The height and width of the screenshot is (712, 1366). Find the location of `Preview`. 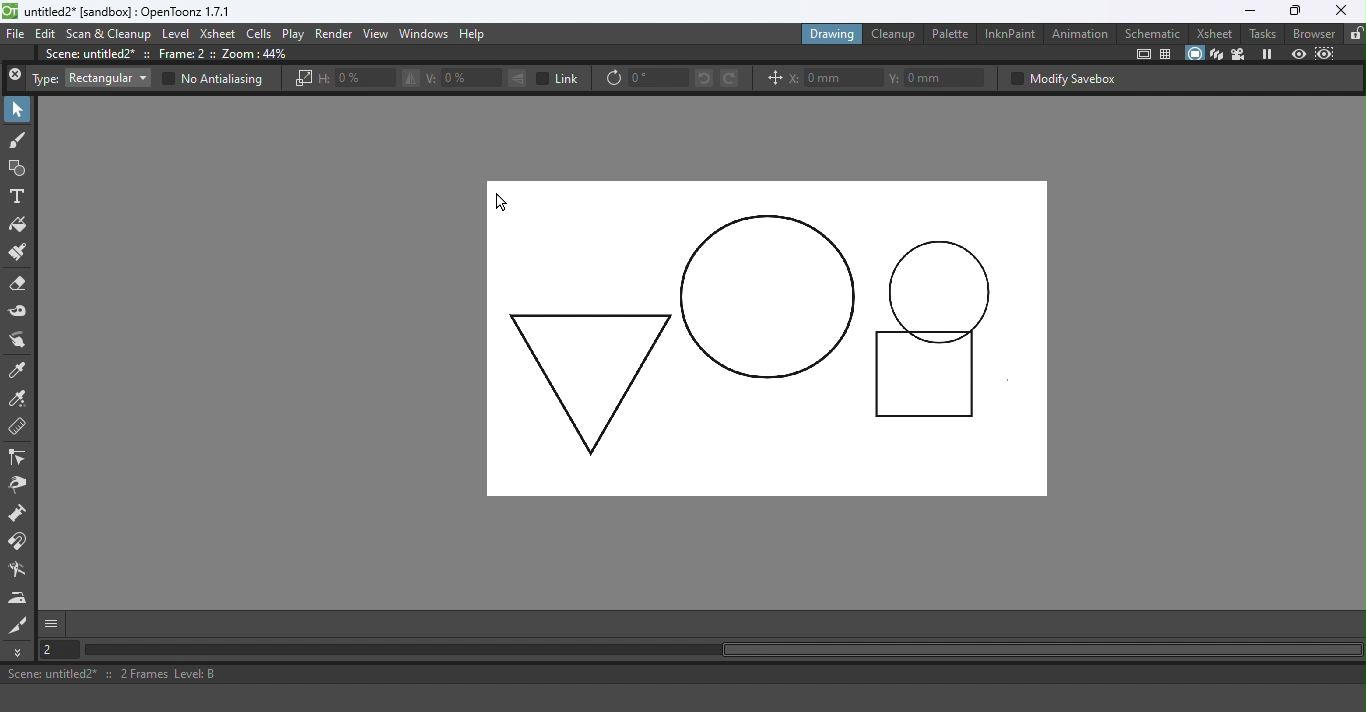

Preview is located at coordinates (1298, 53).